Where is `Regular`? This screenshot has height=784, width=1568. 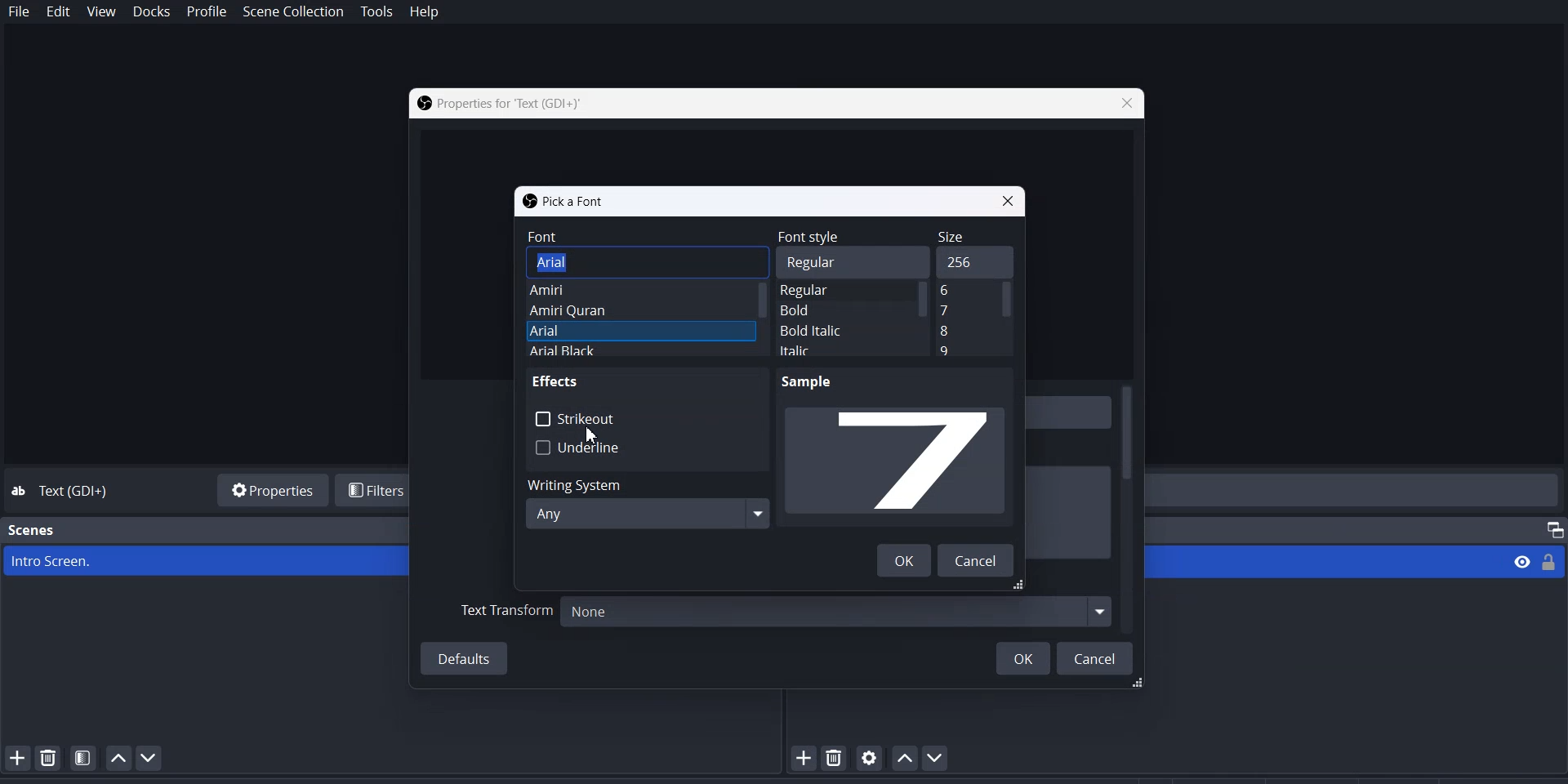 Regular is located at coordinates (840, 261).